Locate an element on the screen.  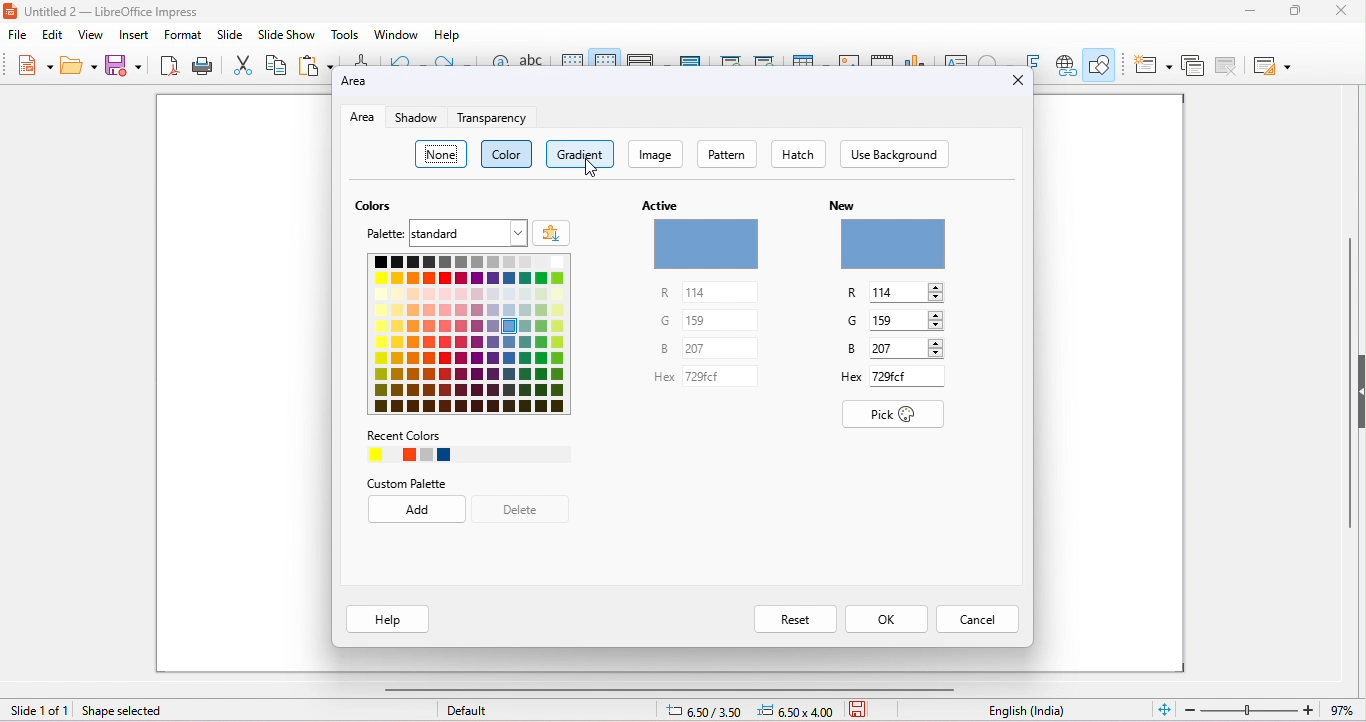
insert audio/video is located at coordinates (882, 59).